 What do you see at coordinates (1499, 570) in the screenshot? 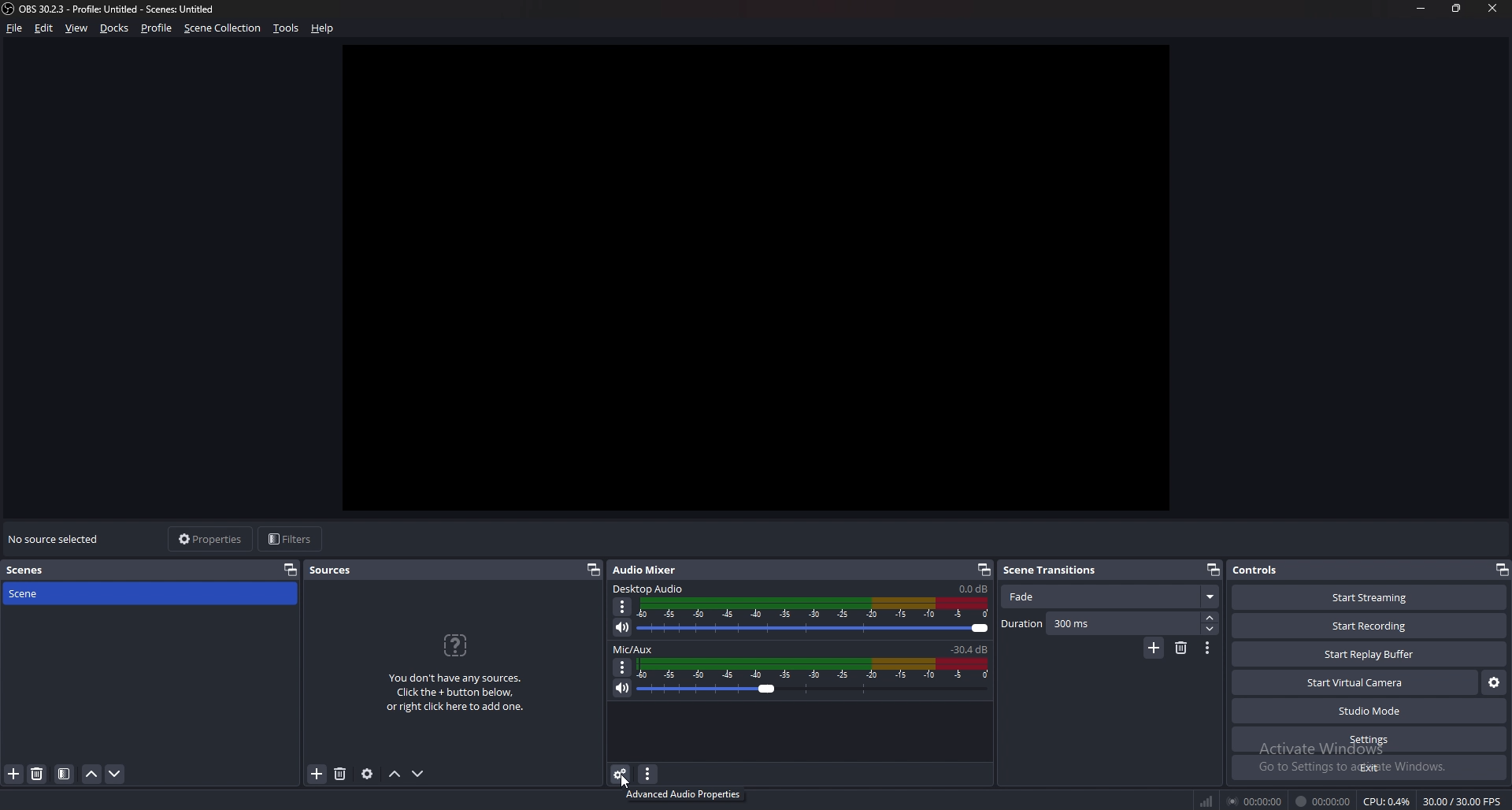
I see `pop out` at bounding box center [1499, 570].